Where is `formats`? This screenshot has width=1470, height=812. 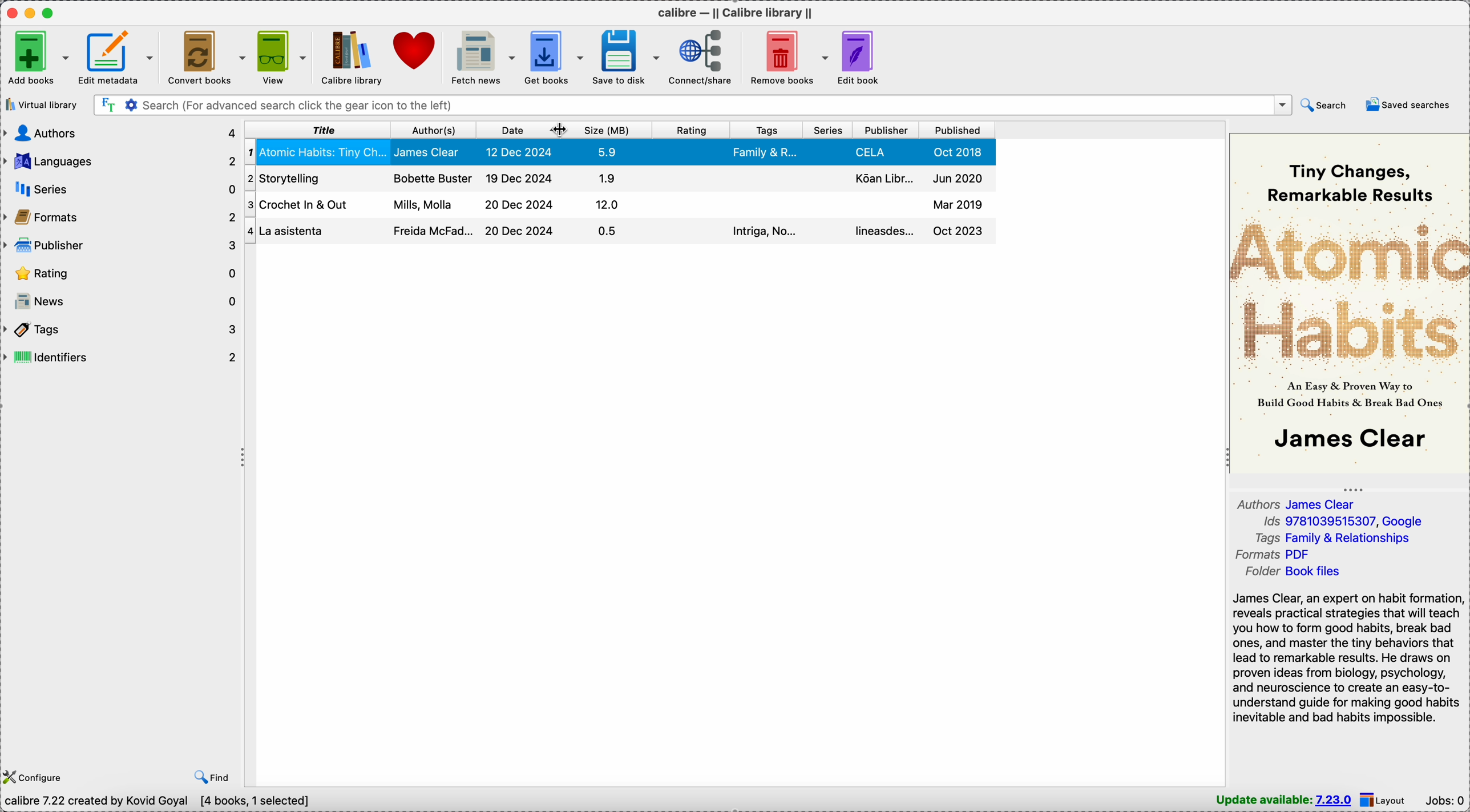 formats is located at coordinates (122, 219).